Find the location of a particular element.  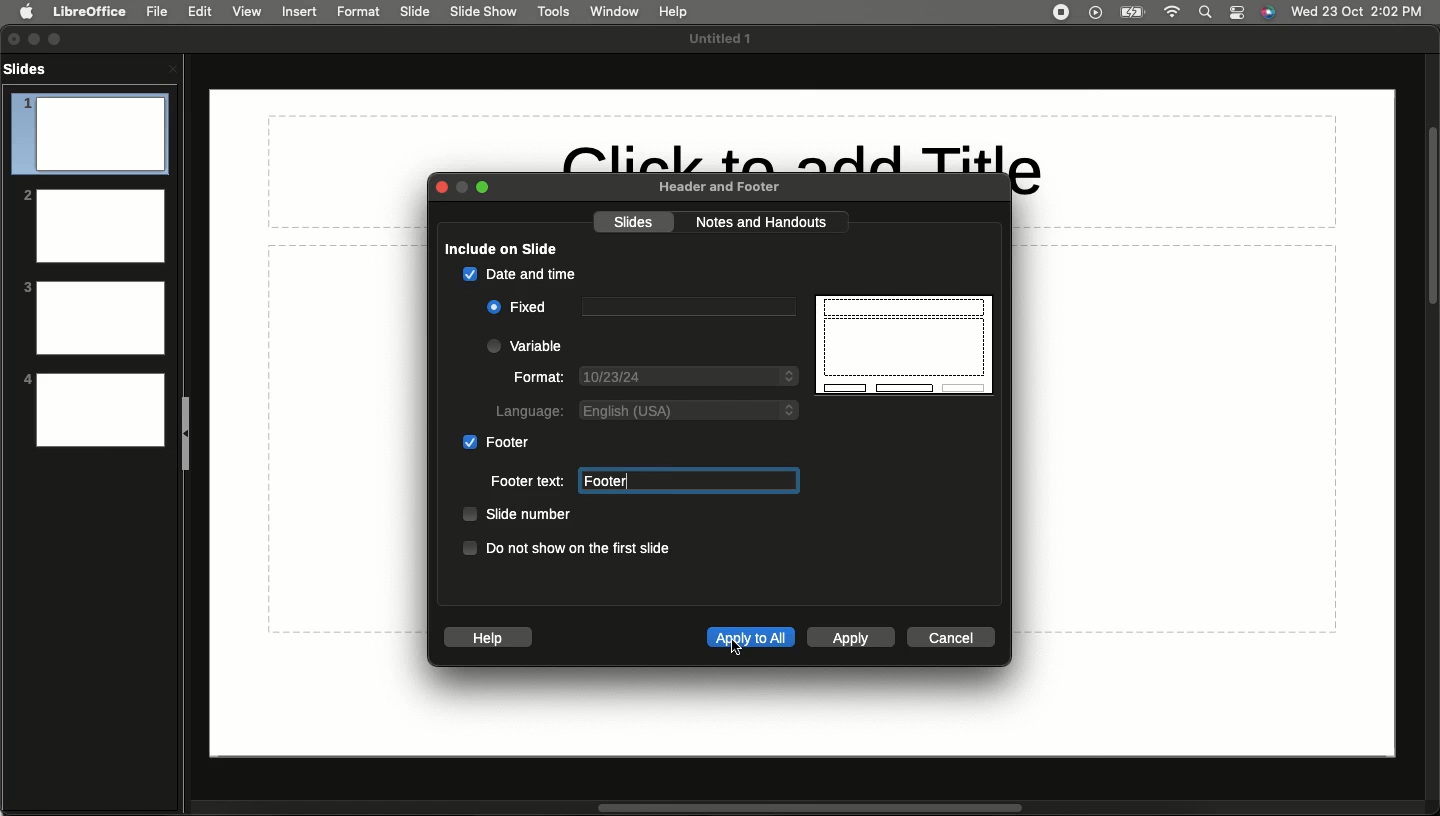

LibreOffice is located at coordinates (88, 11).